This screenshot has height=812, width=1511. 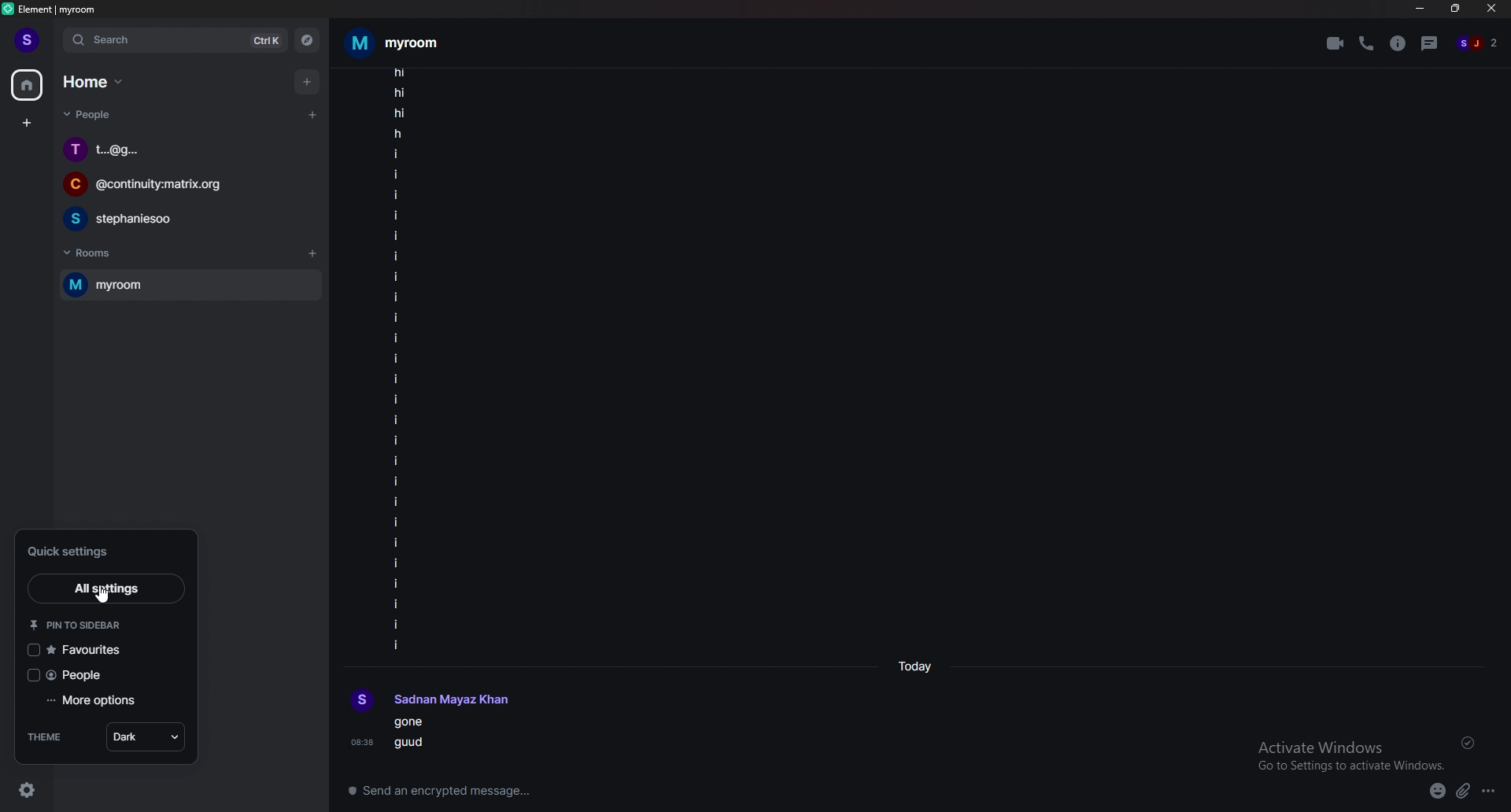 What do you see at coordinates (102, 253) in the screenshot?
I see `rooms` at bounding box center [102, 253].